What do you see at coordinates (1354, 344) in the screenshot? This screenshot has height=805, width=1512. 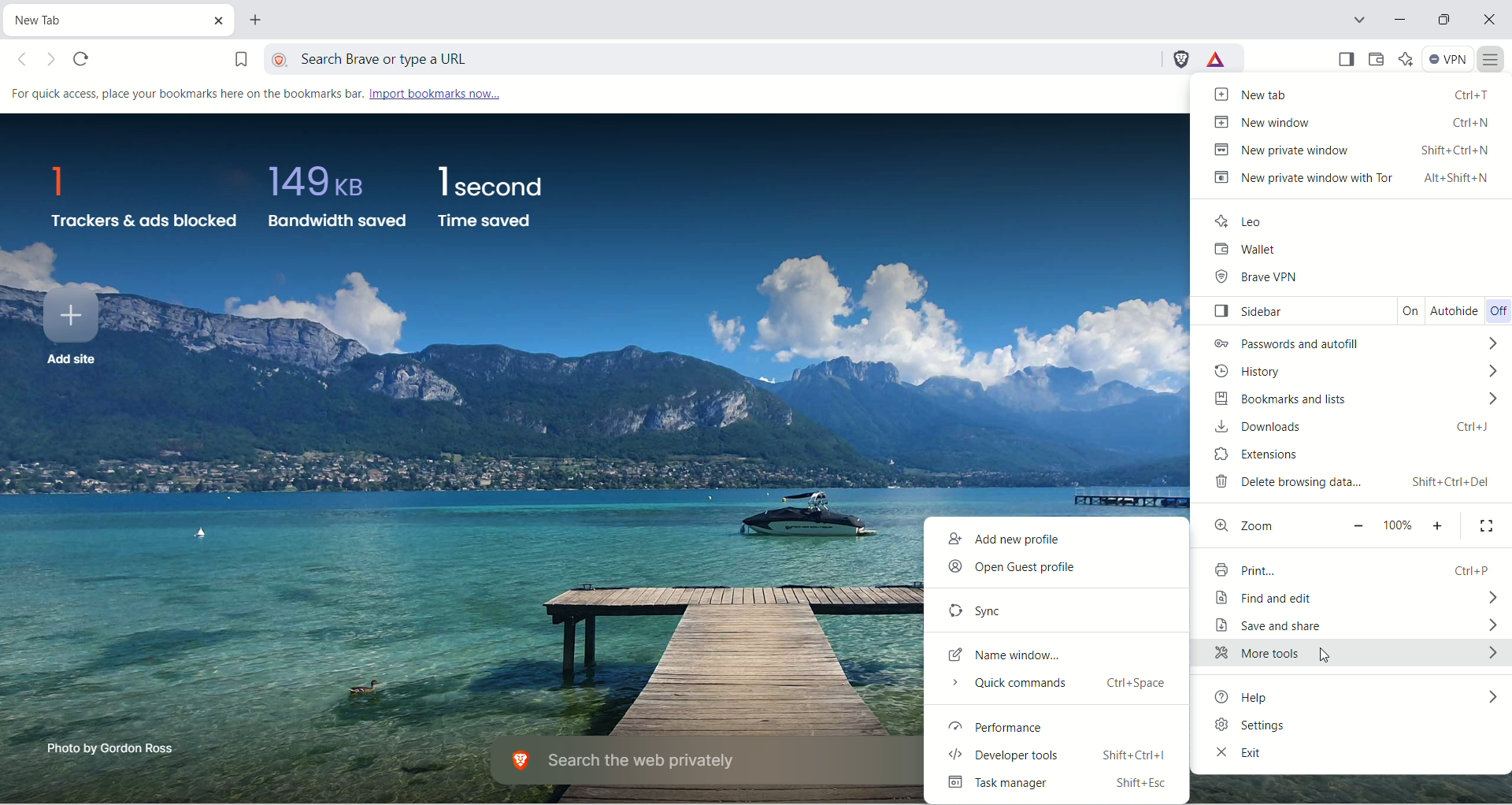 I see `password and autofill` at bounding box center [1354, 344].